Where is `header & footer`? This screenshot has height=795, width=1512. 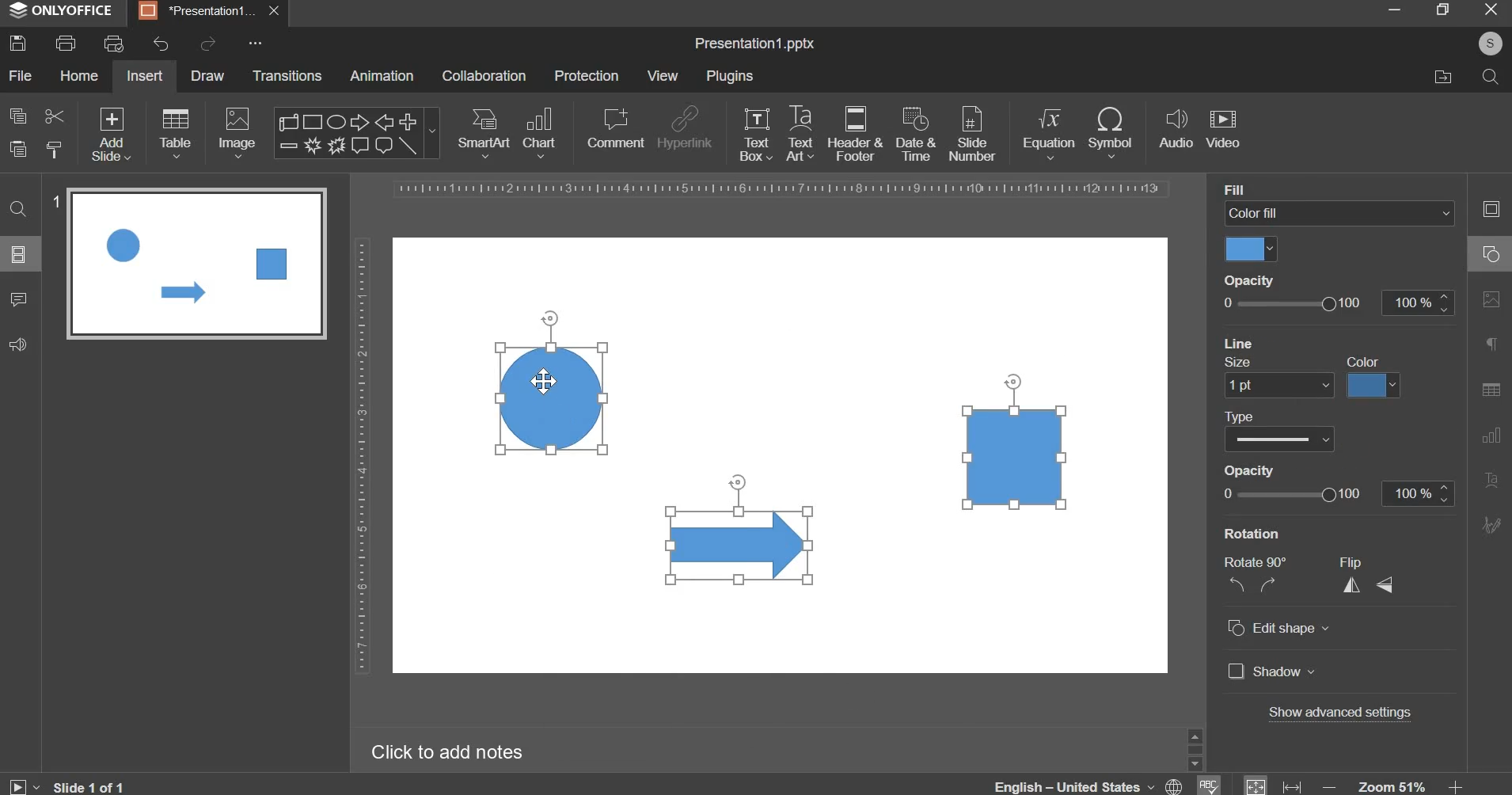 header & footer is located at coordinates (854, 133).